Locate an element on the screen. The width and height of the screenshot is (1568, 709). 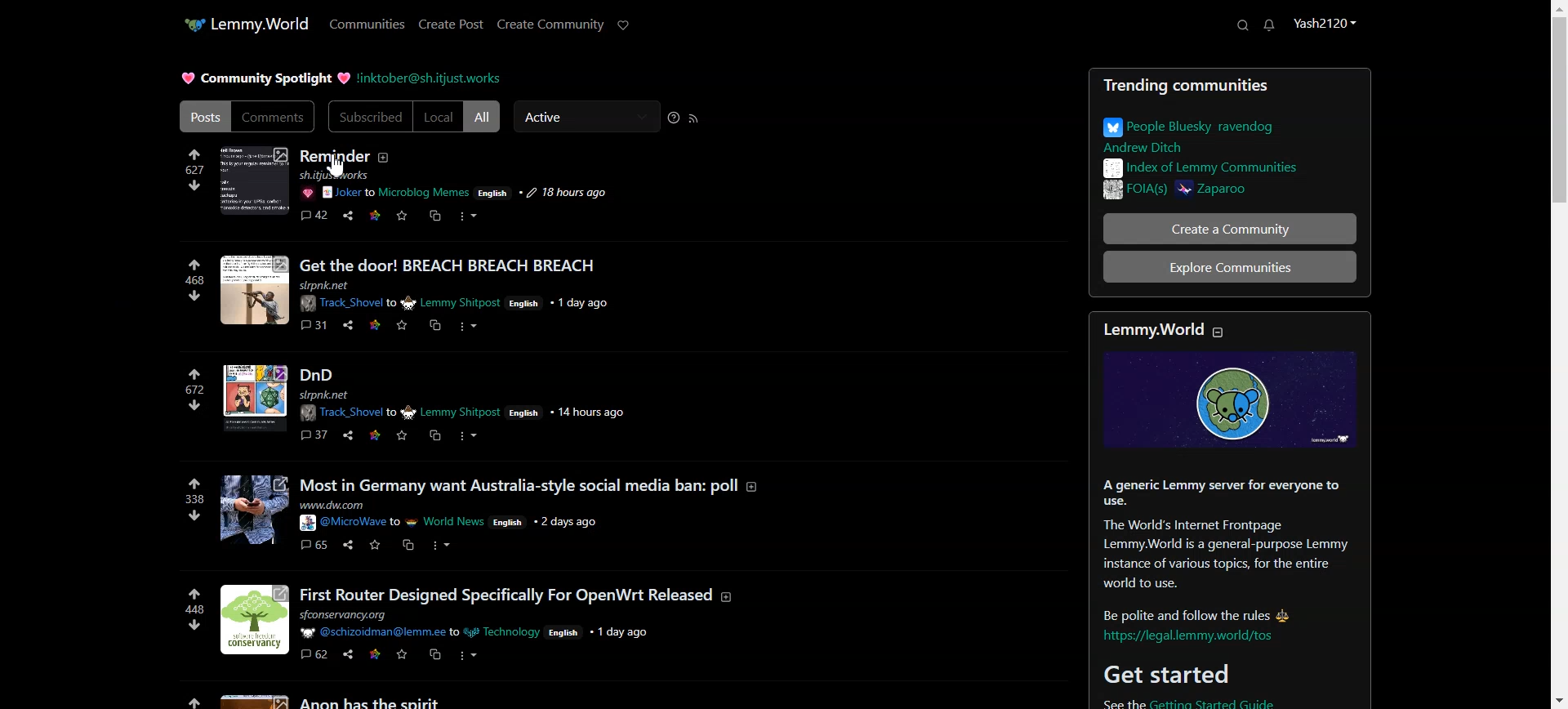
More is located at coordinates (466, 216).